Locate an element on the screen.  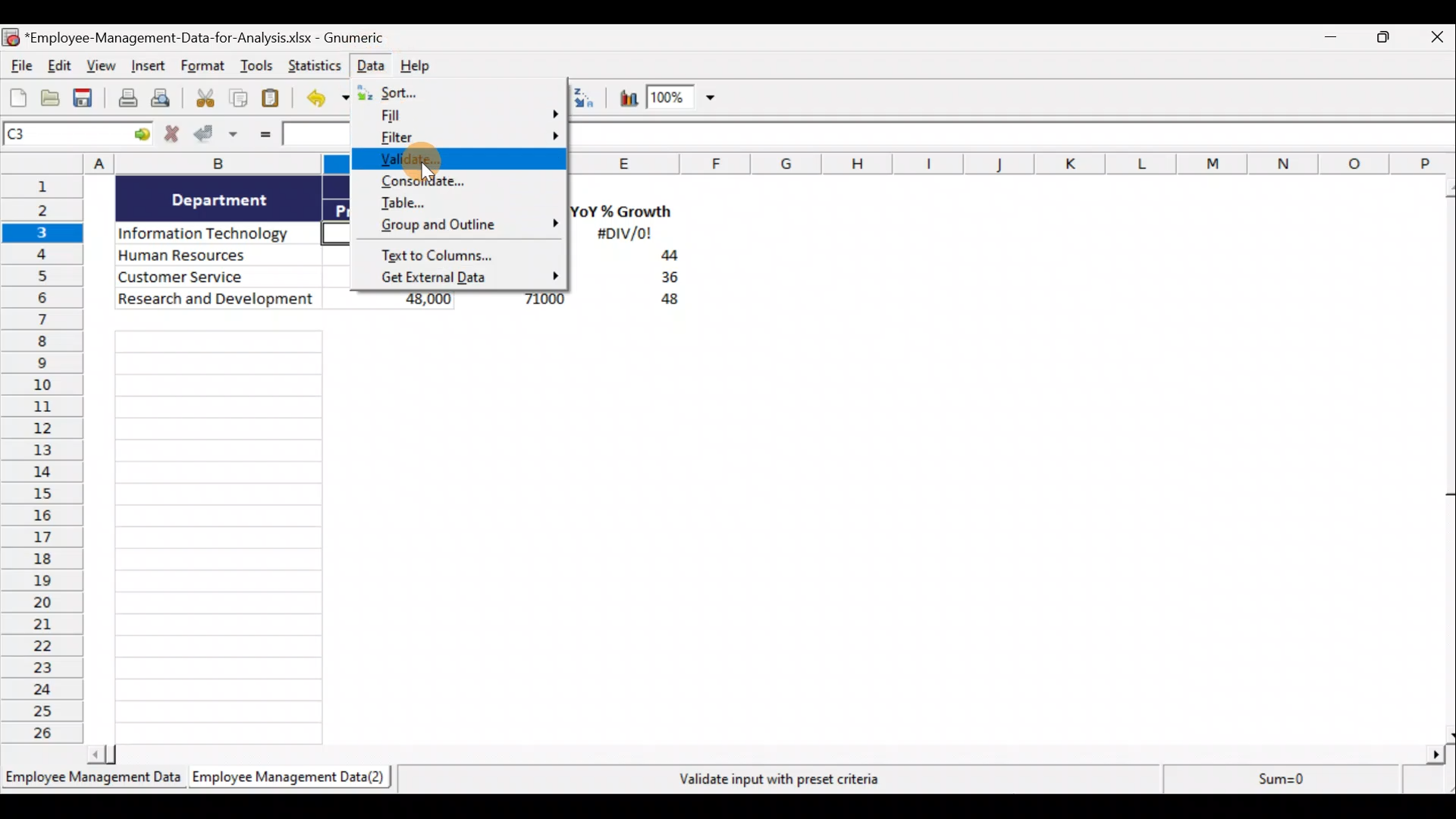
Table is located at coordinates (461, 202).